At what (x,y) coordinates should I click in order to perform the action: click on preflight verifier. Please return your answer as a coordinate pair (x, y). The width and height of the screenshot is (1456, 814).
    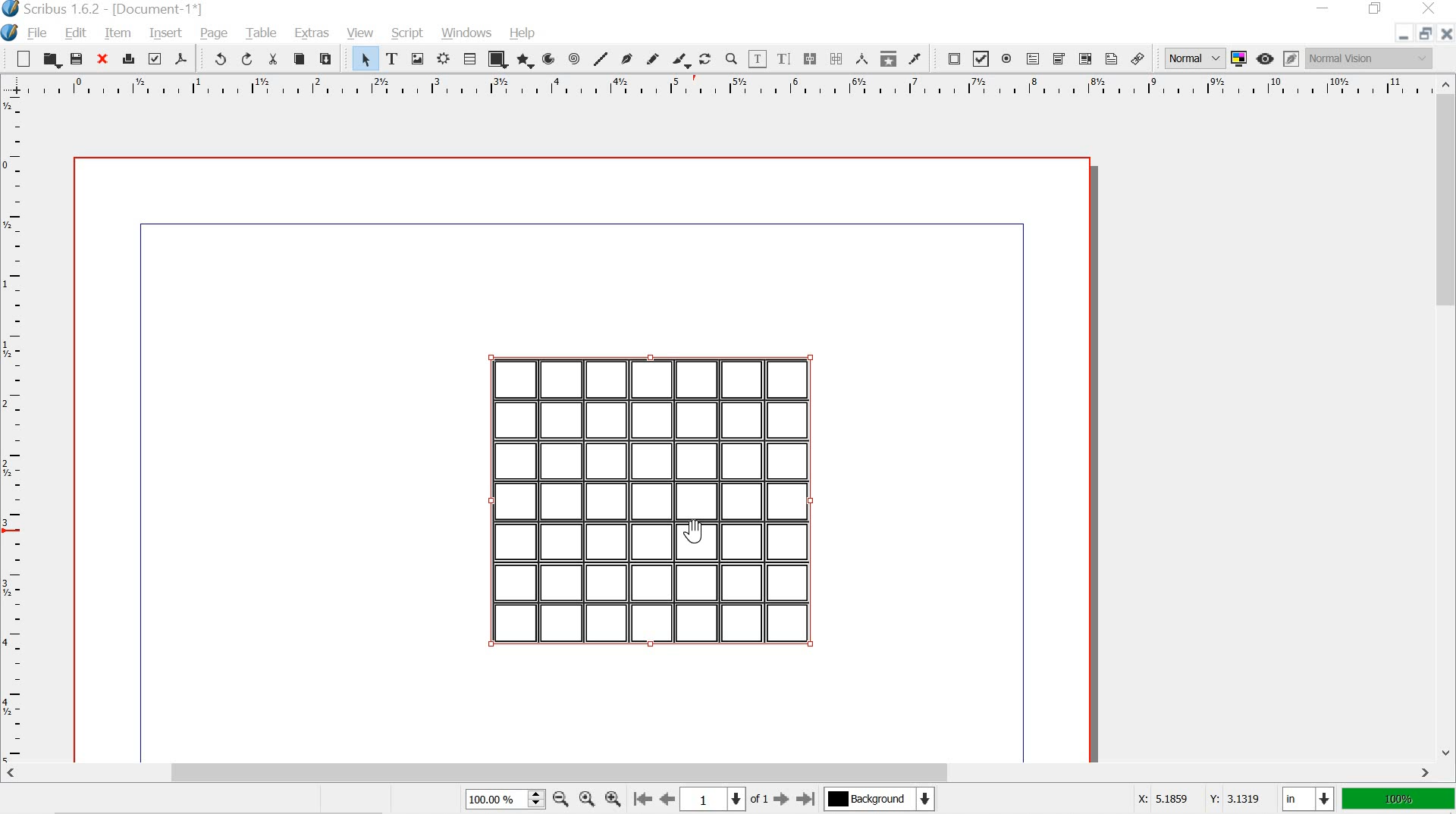
    Looking at the image, I should click on (154, 58).